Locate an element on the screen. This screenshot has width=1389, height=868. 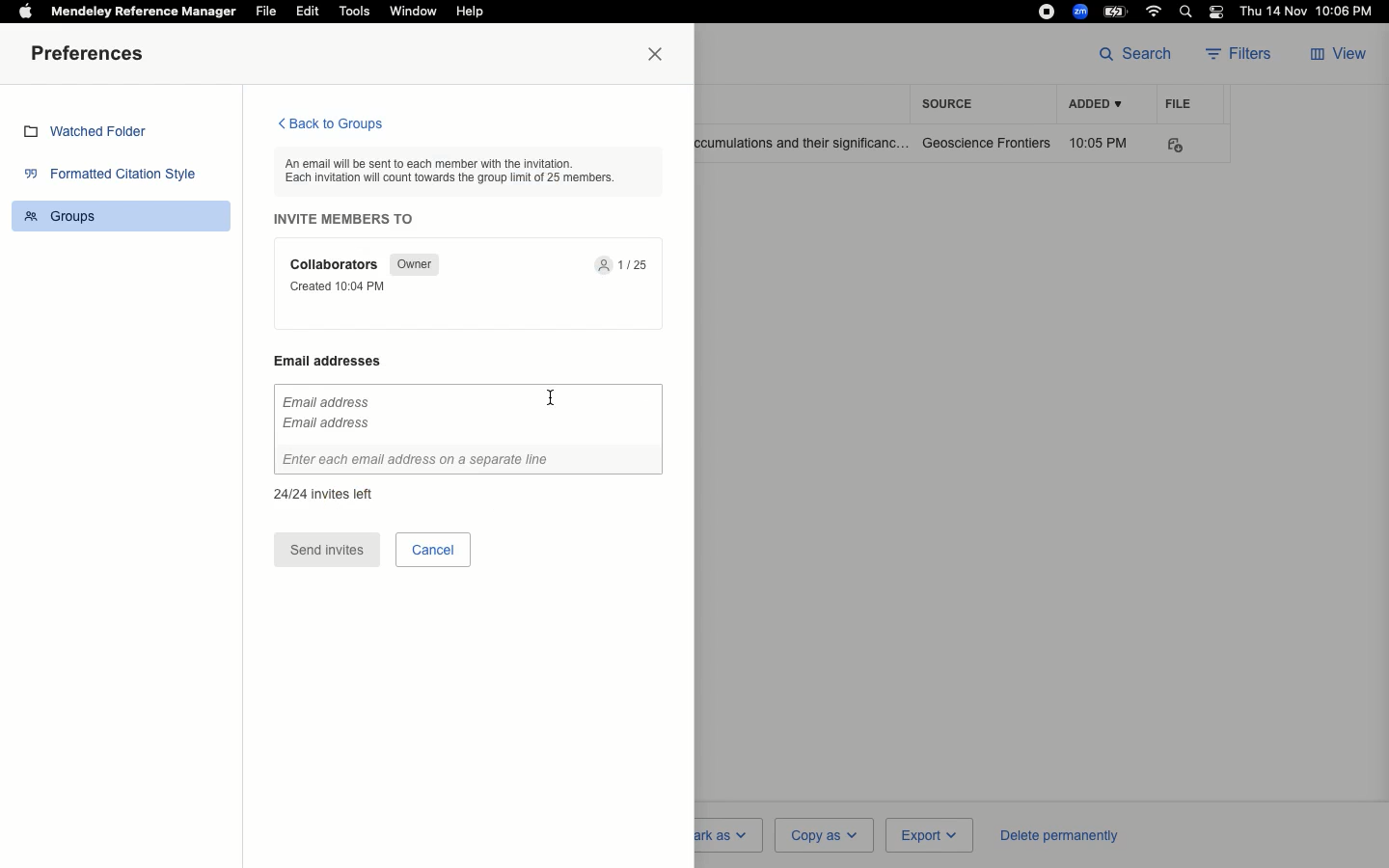
Instructional text is located at coordinates (462, 170).